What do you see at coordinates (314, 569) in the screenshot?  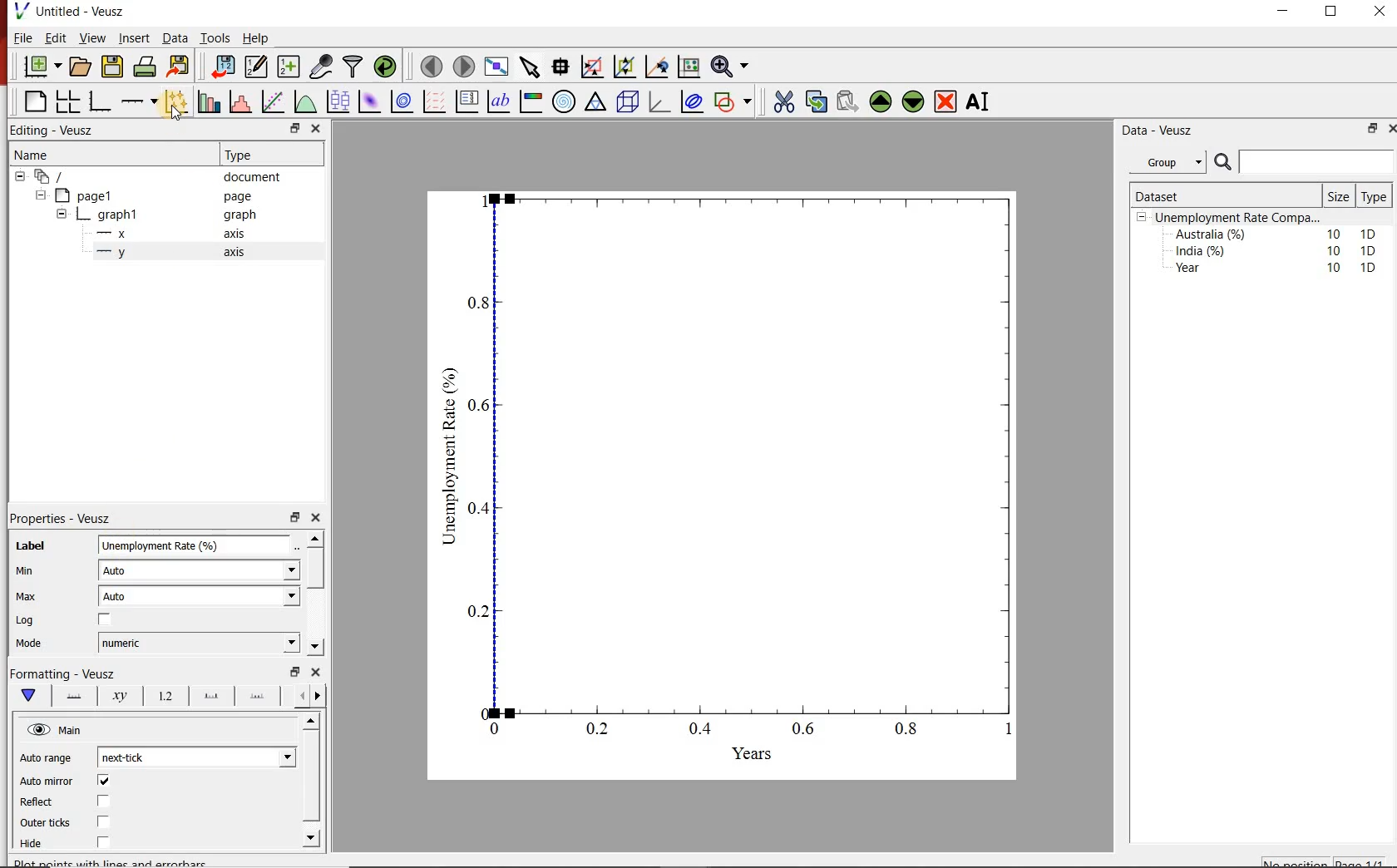 I see `scroll bar` at bounding box center [314, 569].